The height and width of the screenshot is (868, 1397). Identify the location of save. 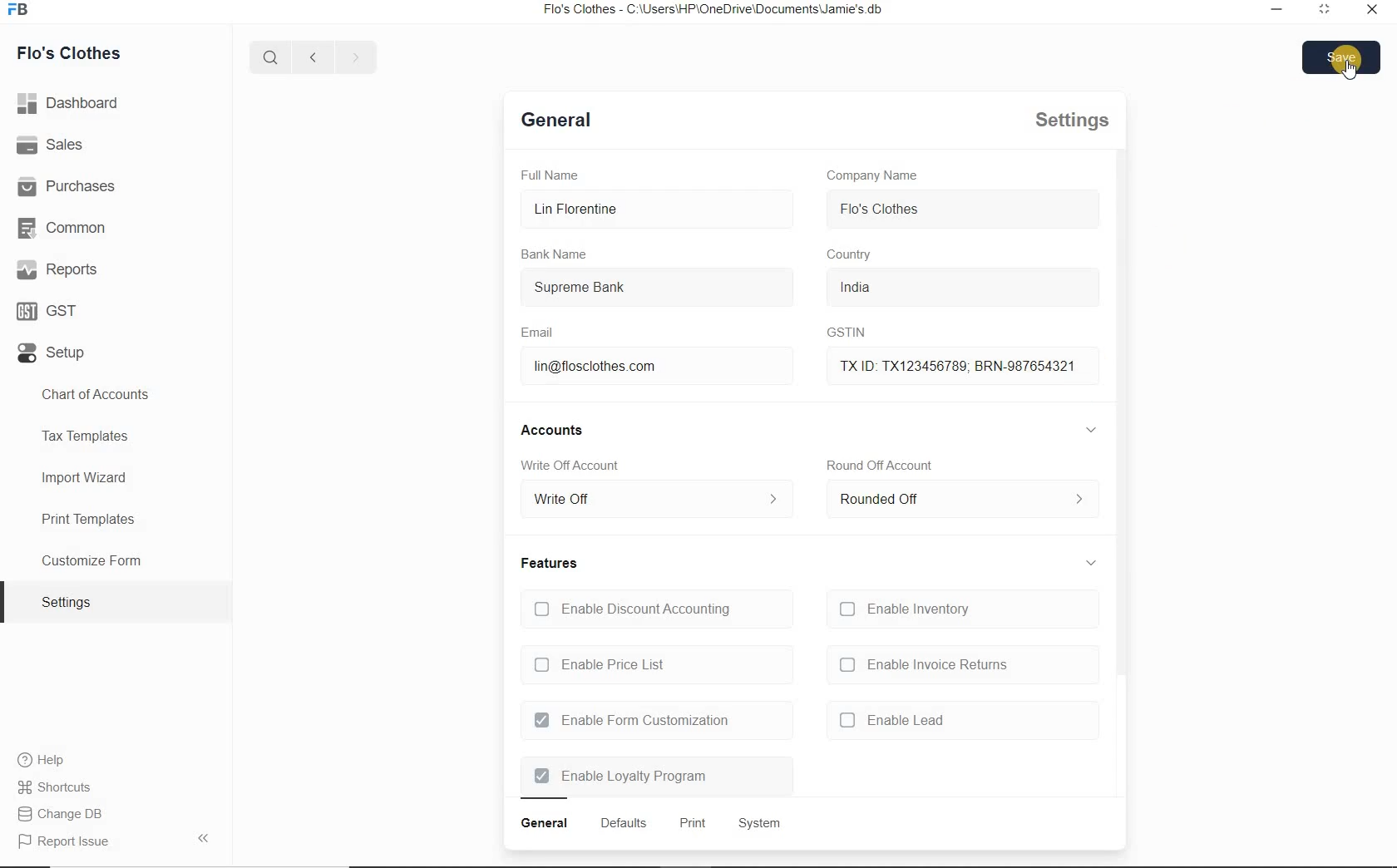
(1344, 56).